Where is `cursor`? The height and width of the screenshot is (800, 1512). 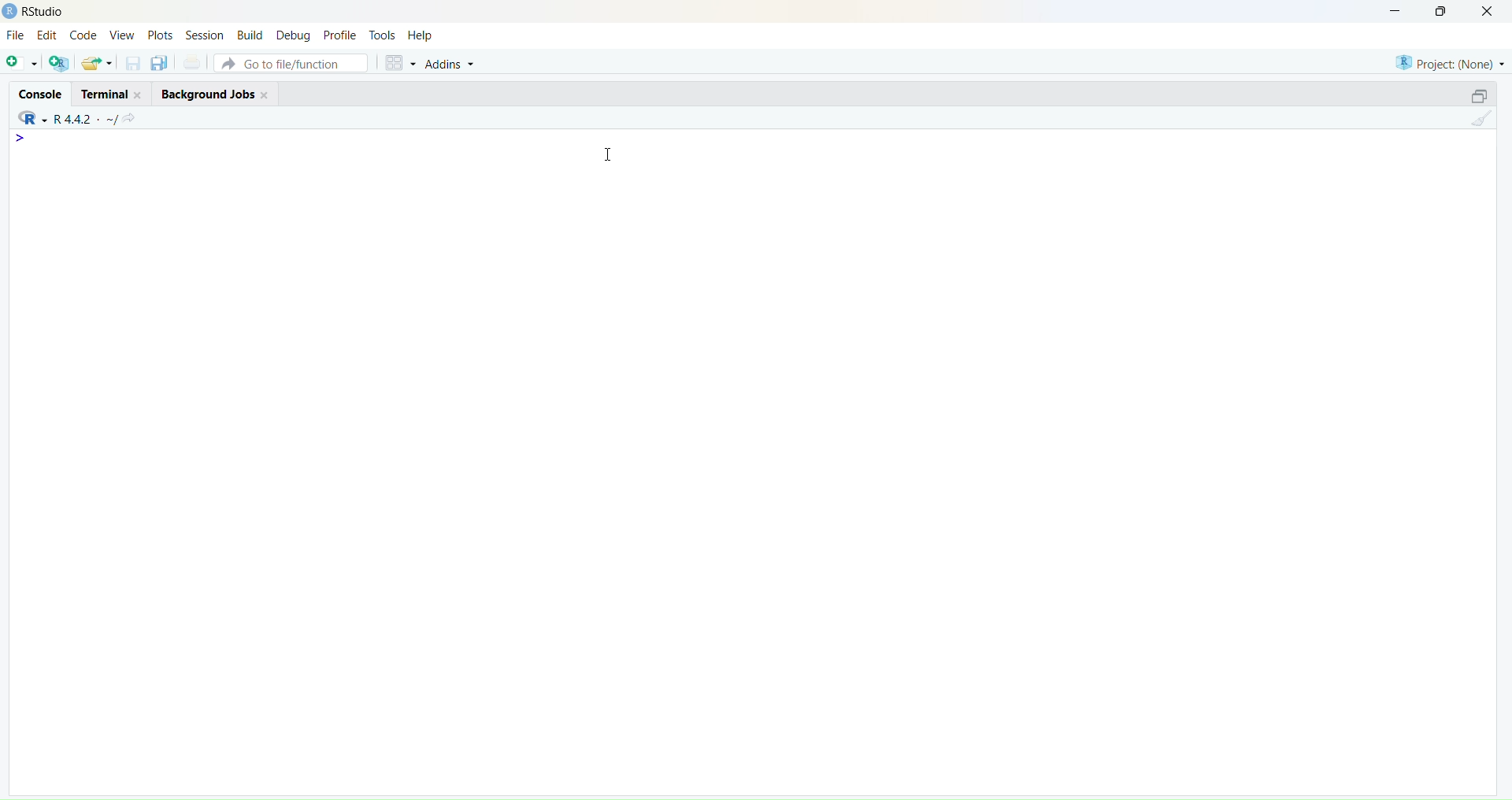
cursor is located at coordinates (612, 154).